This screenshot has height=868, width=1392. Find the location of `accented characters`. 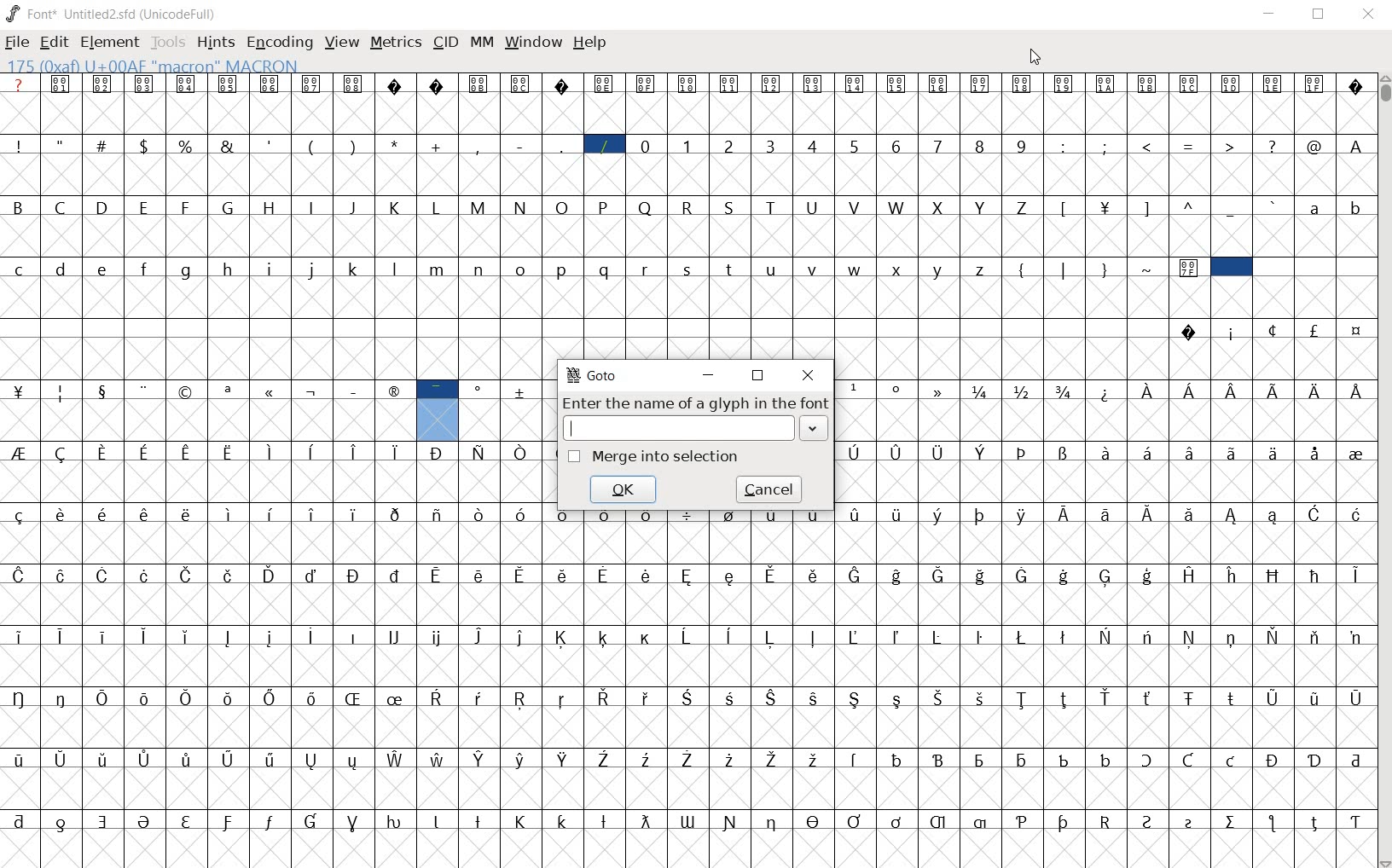

accented characters is located at coordinates (705, 594).